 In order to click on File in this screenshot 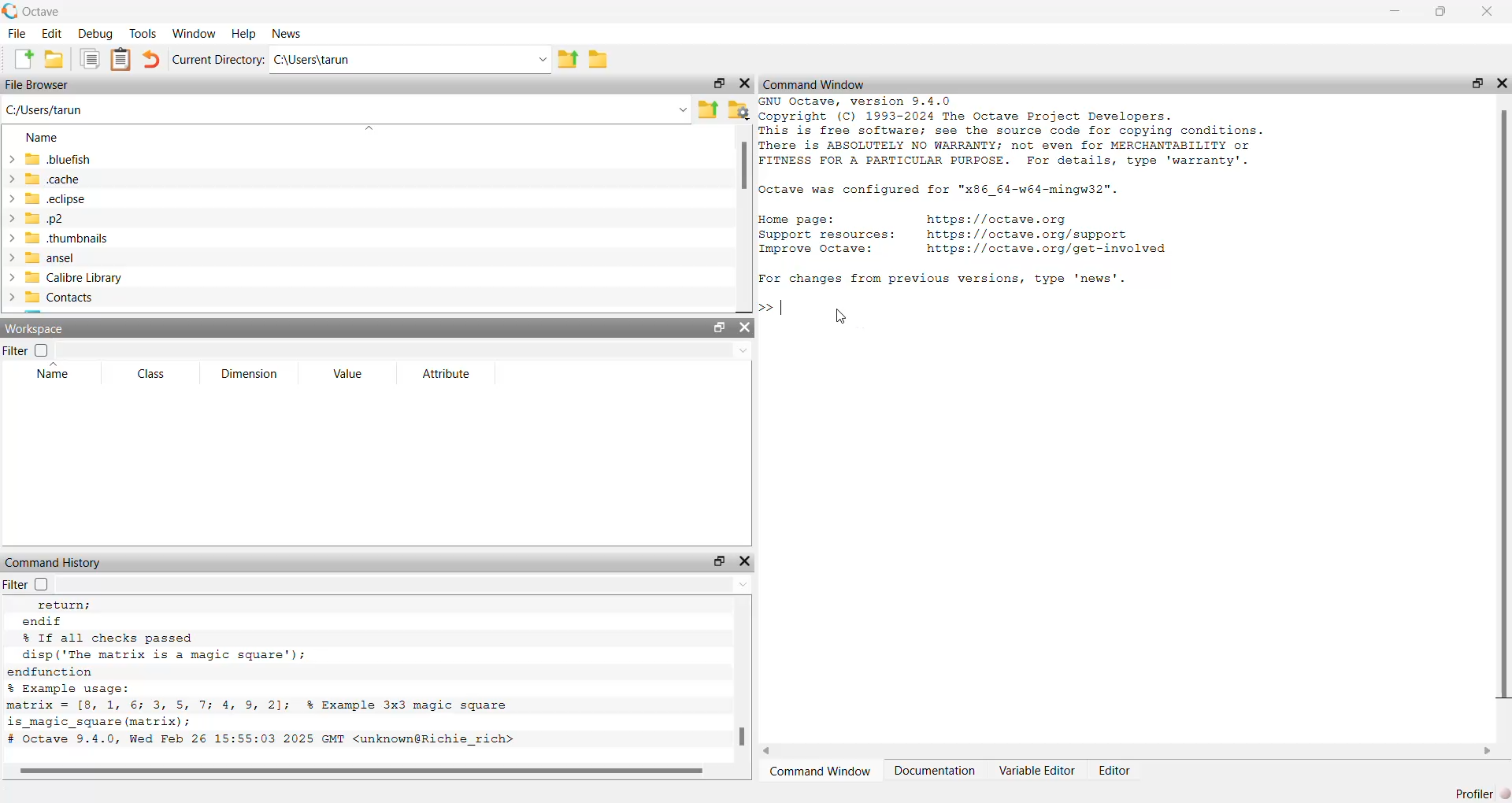, I will do `click(16, 33)`.